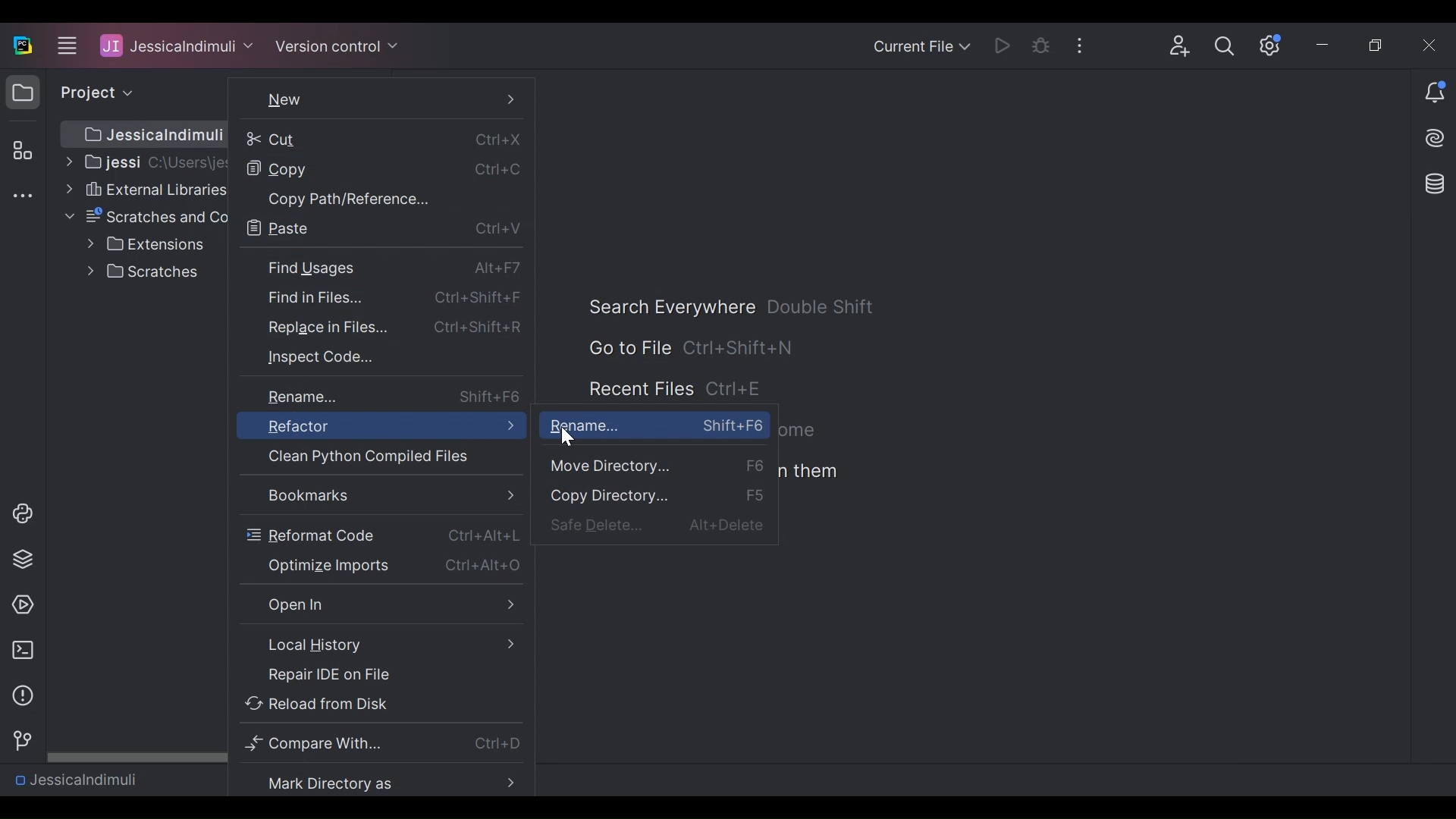 This screenshot has width=1456, height=819. I want to click on More Options, so click(1084, 44).